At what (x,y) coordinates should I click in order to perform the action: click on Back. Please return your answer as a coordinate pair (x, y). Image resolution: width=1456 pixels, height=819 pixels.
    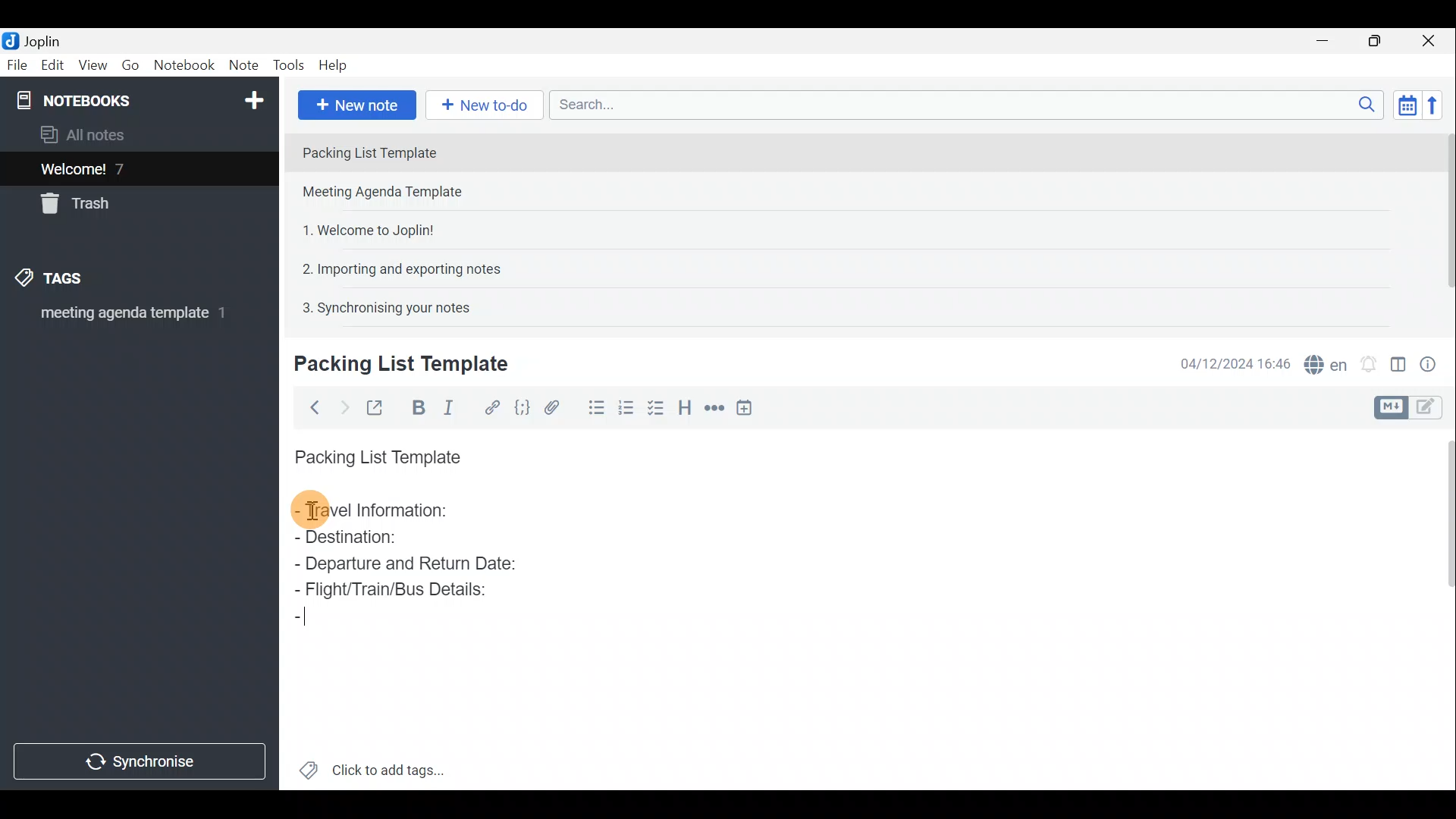
    Looking at the image, I should click on (312, 407).